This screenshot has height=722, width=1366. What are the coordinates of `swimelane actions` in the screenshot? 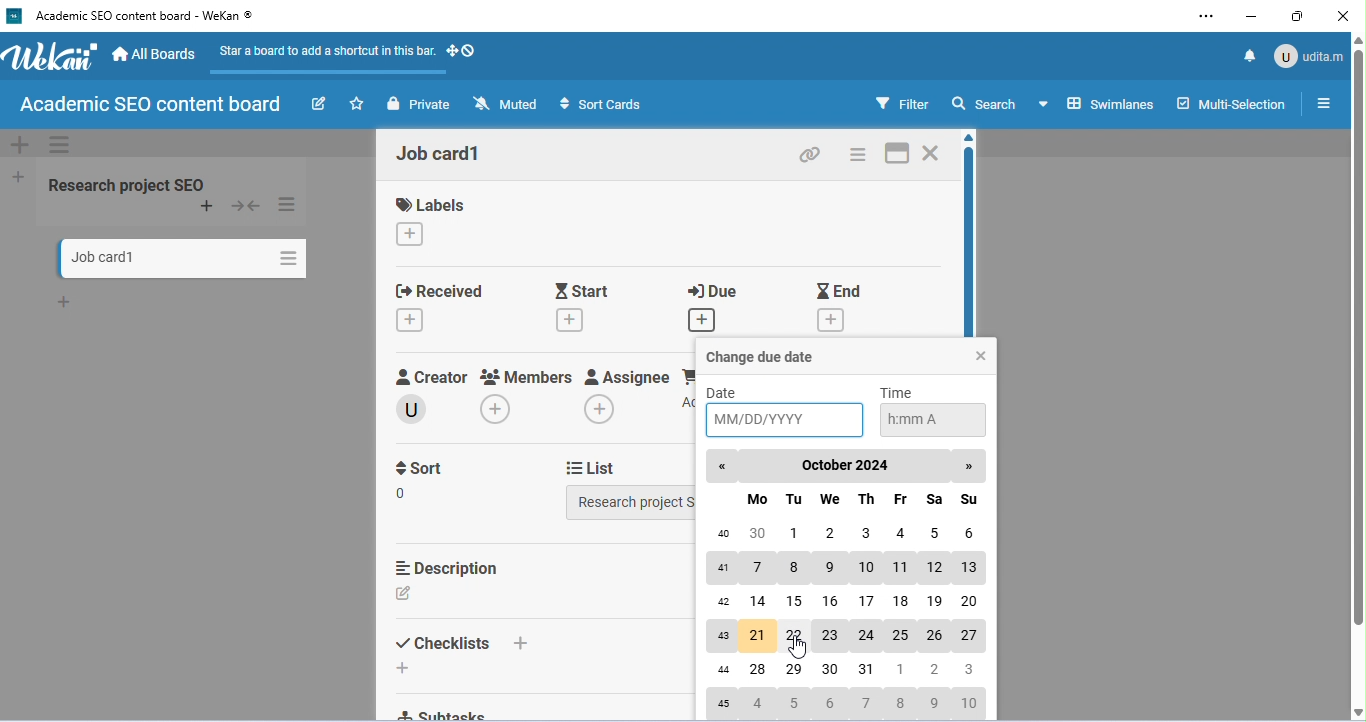 It's located at (60, 146).